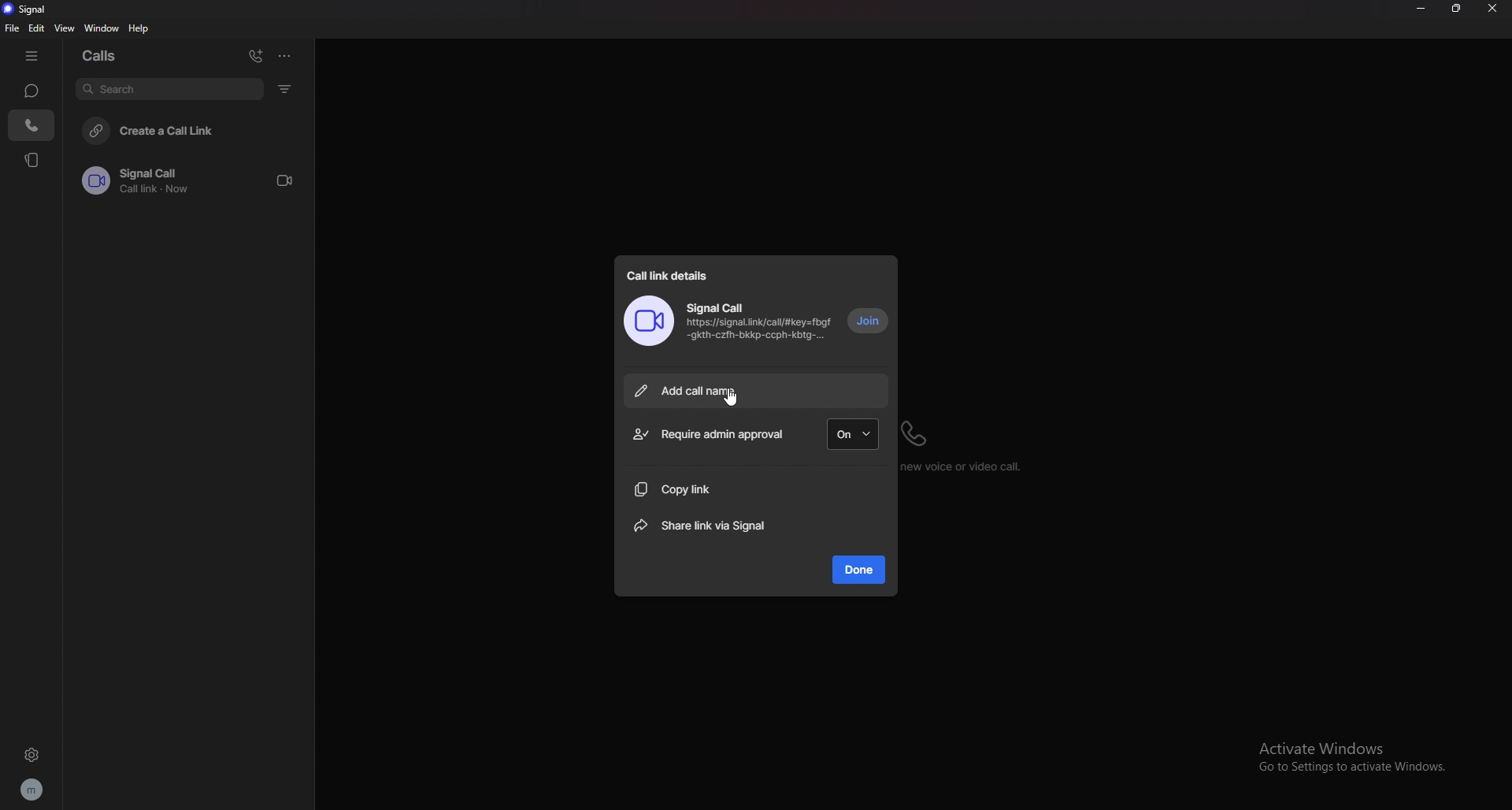  Describe the element at coordinates (31, 754) in the screenshot. I see `settings` at that location.